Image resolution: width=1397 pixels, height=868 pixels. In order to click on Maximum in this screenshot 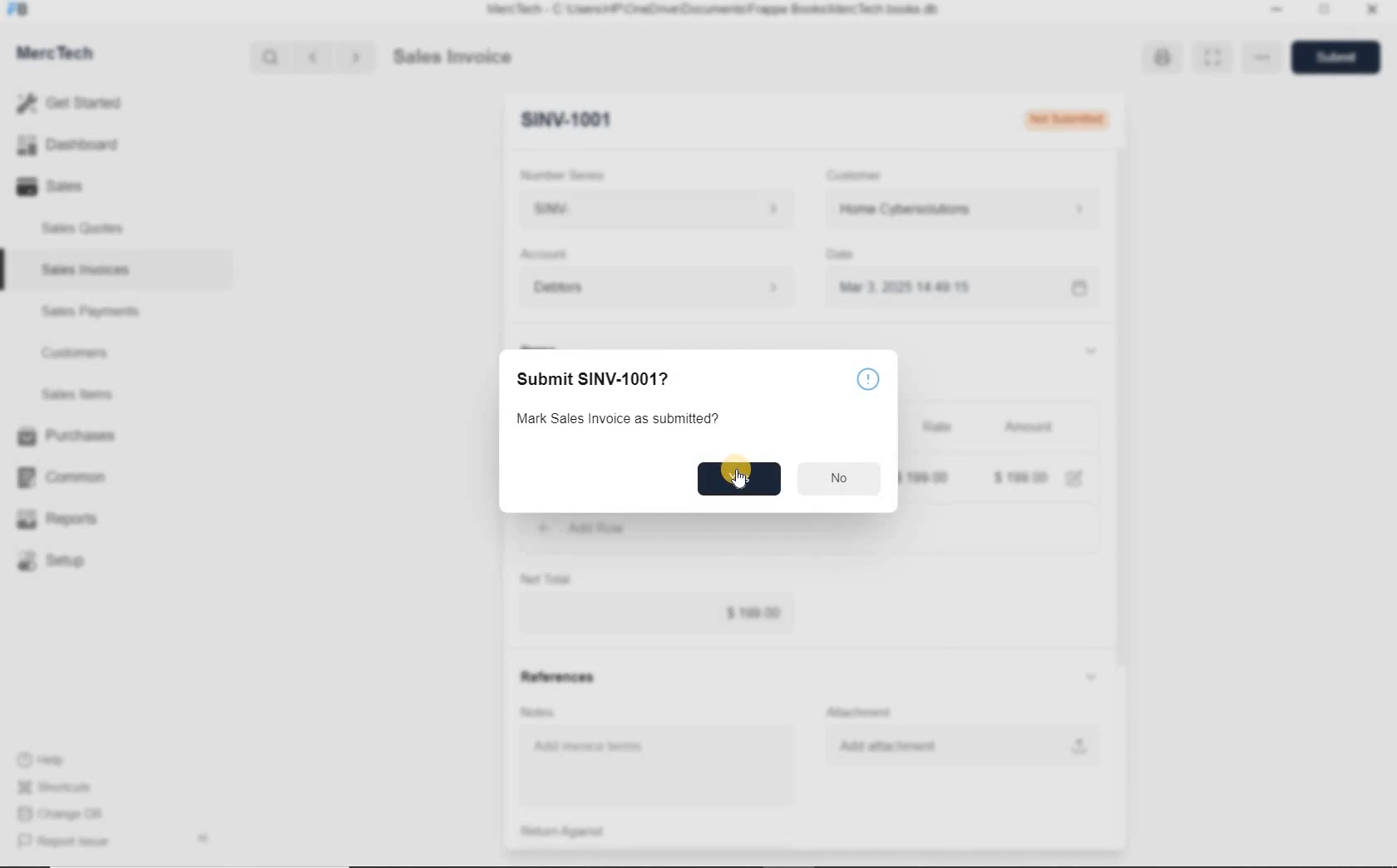, I will do `click(1325, 12)`.